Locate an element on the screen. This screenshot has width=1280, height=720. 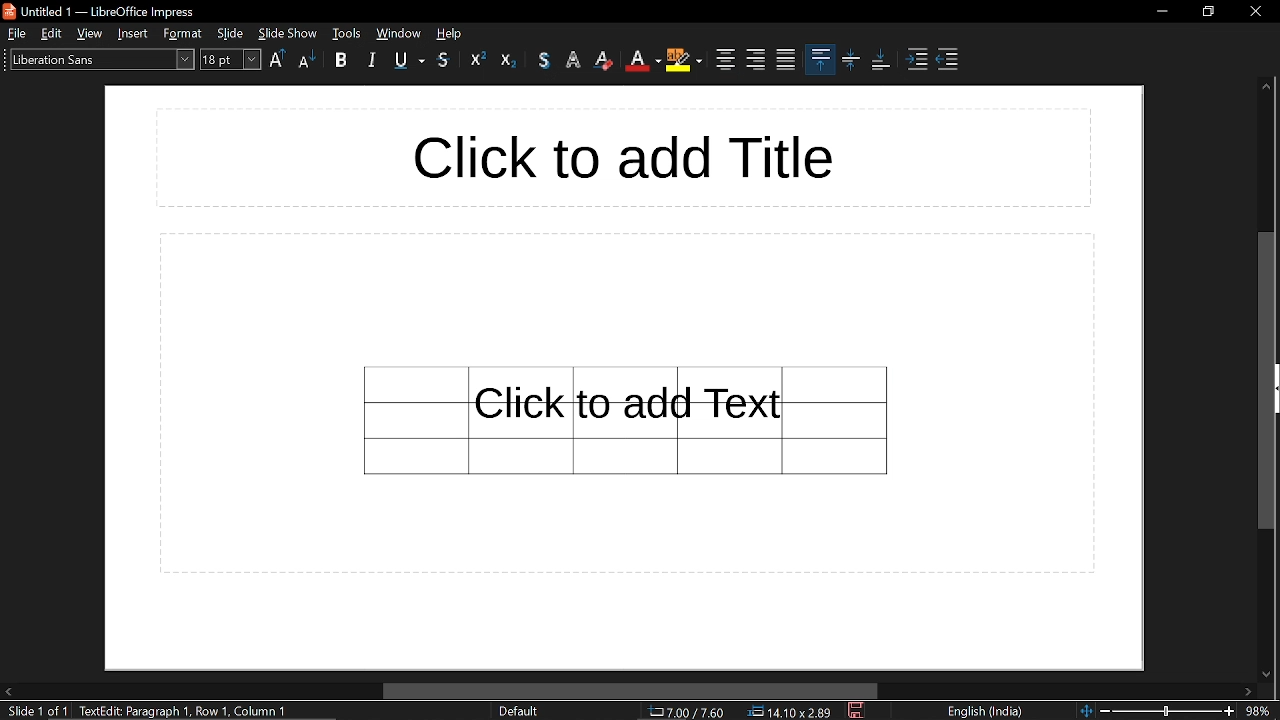
move left is located at coordinates (8, 690).